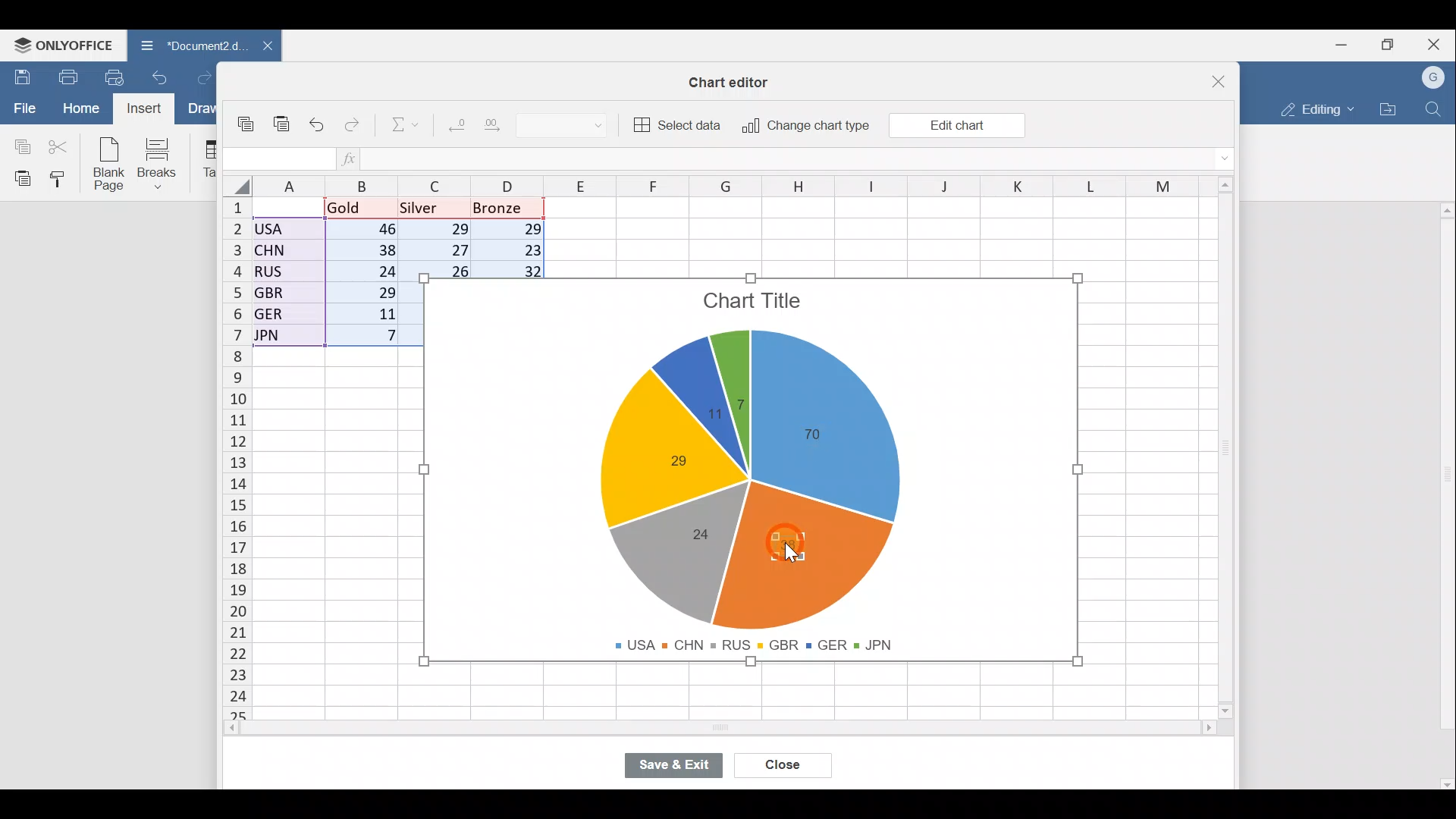 This screenshot has width=1456, height=819. Describe the element at coordinates (496, 123) in the screenshot. I see `Increase decimal` at that location.